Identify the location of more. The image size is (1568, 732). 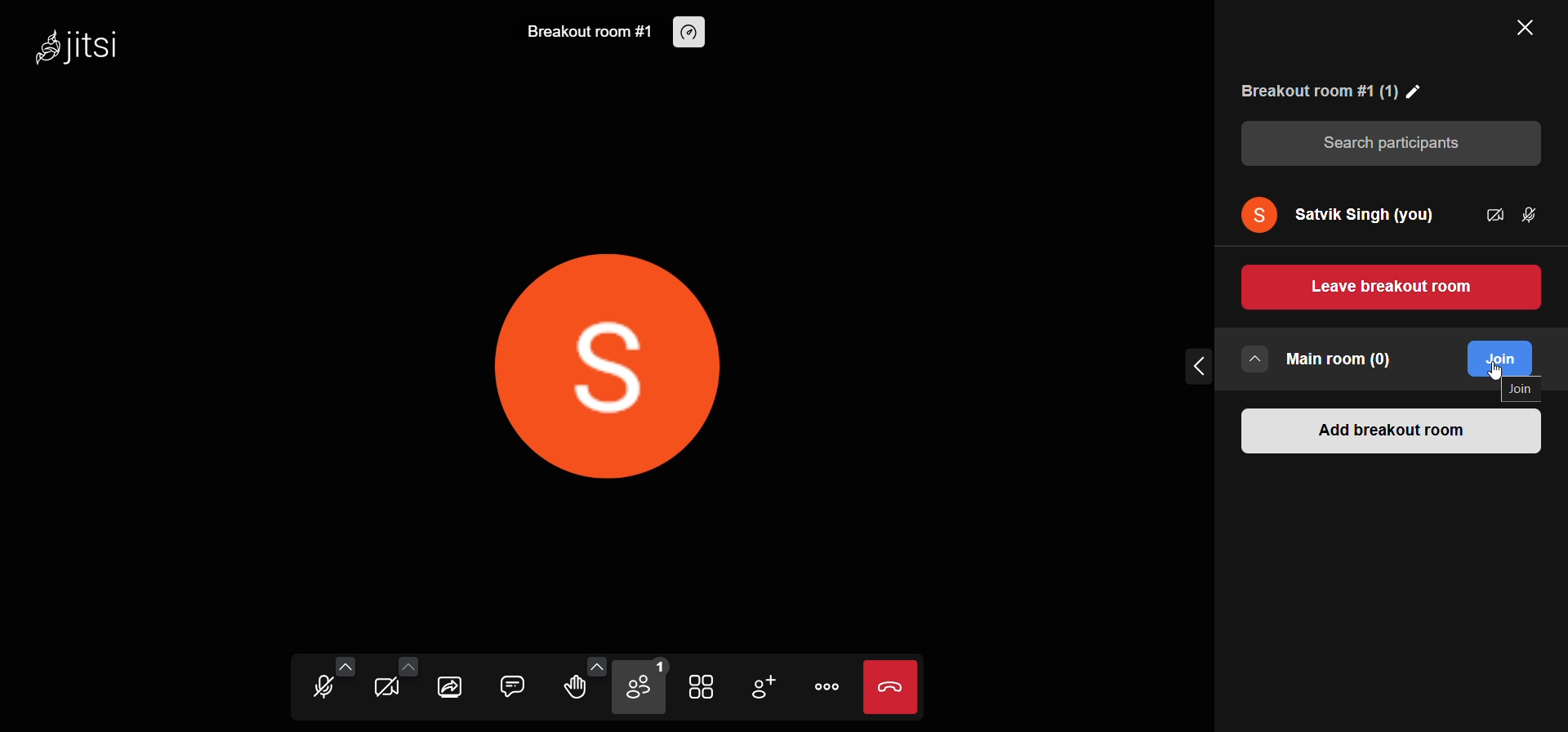
(828, 690).